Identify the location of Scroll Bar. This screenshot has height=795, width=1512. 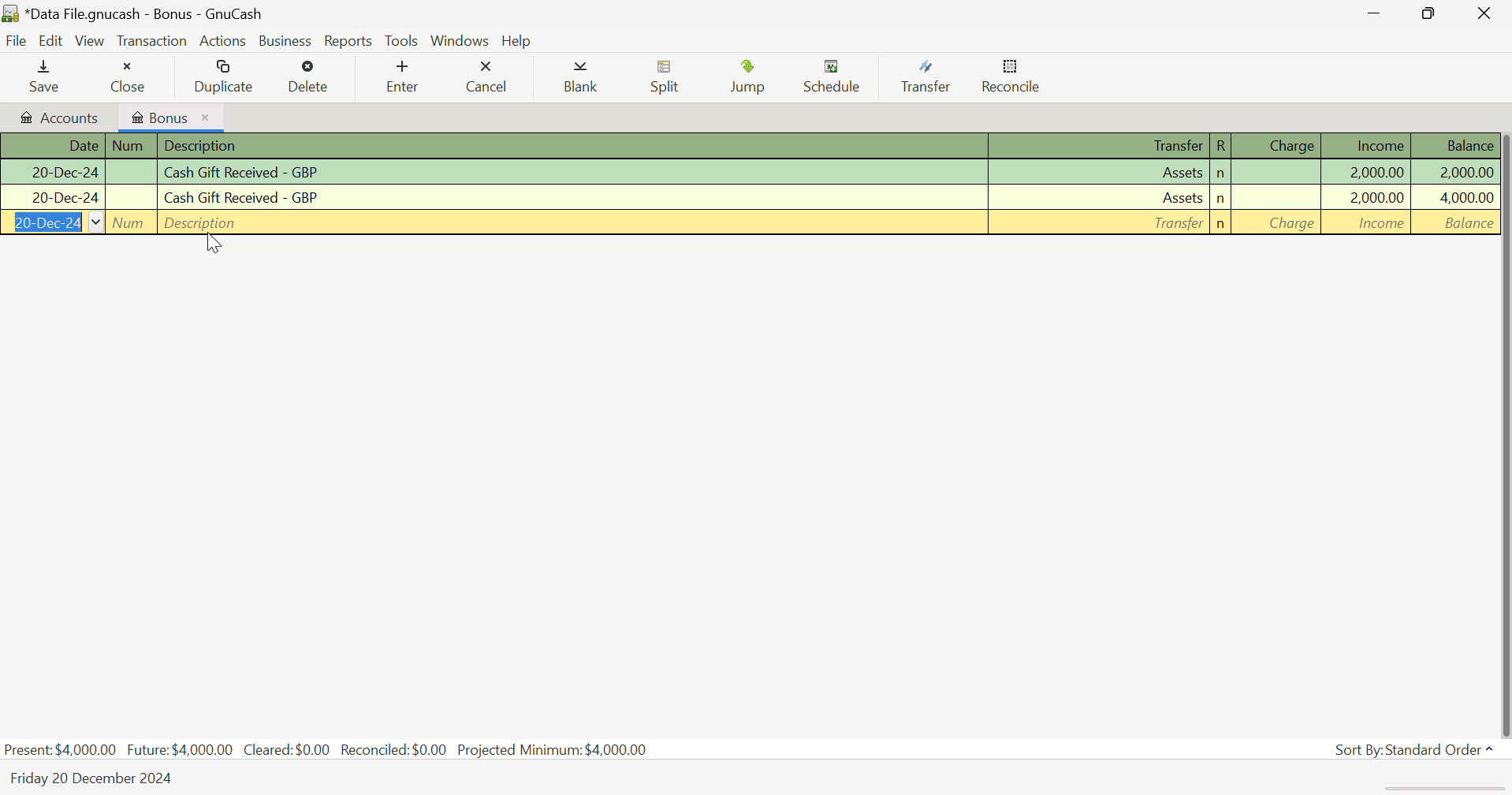
(1503, 429).